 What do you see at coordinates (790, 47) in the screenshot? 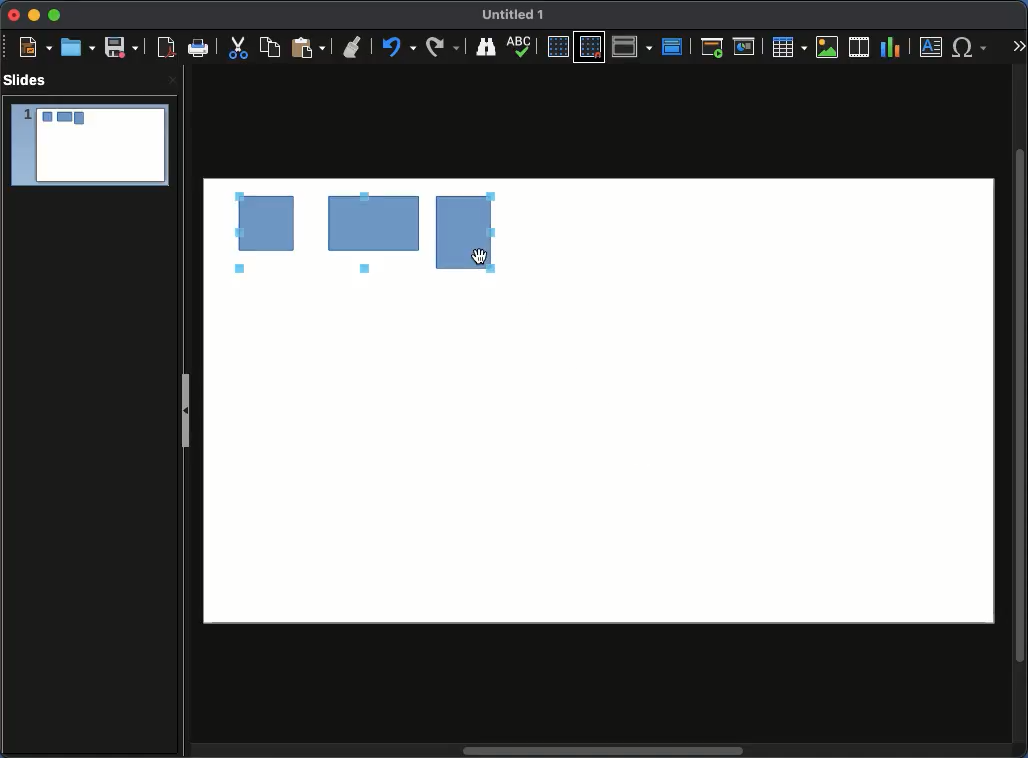
I see `Table` at bounding box center [790, 47].